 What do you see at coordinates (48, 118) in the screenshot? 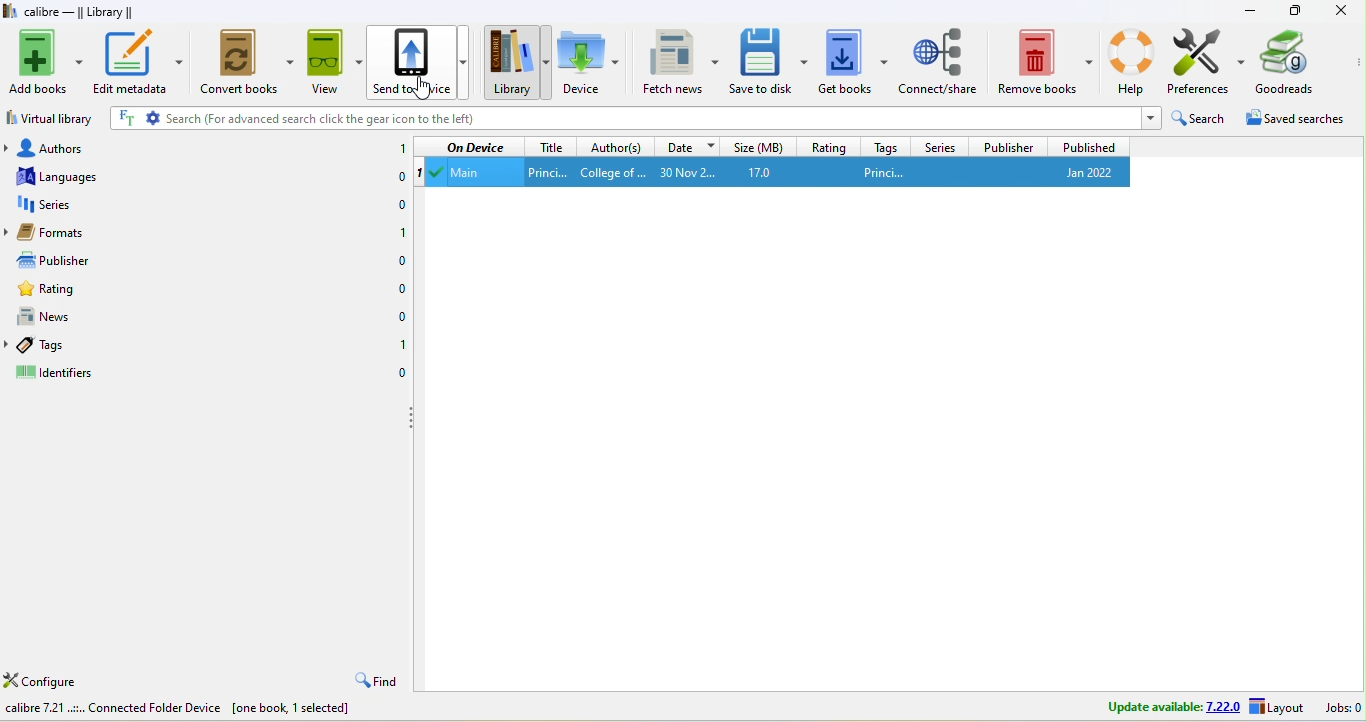
I see `virtual library` at bounding box center [48, 118].